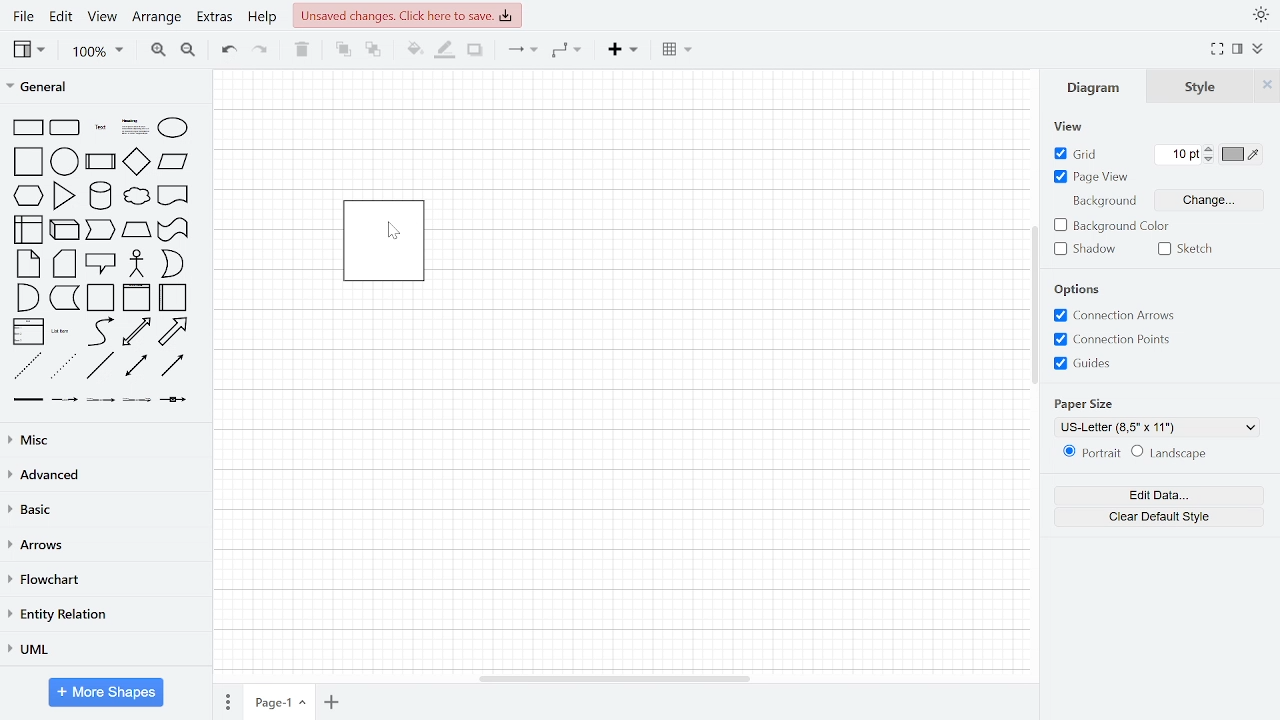 The image size is (1280, 720). What do you see at coordinates (66, 161) in the screenshot?
I see `circle` at bounding box center [66, 161].